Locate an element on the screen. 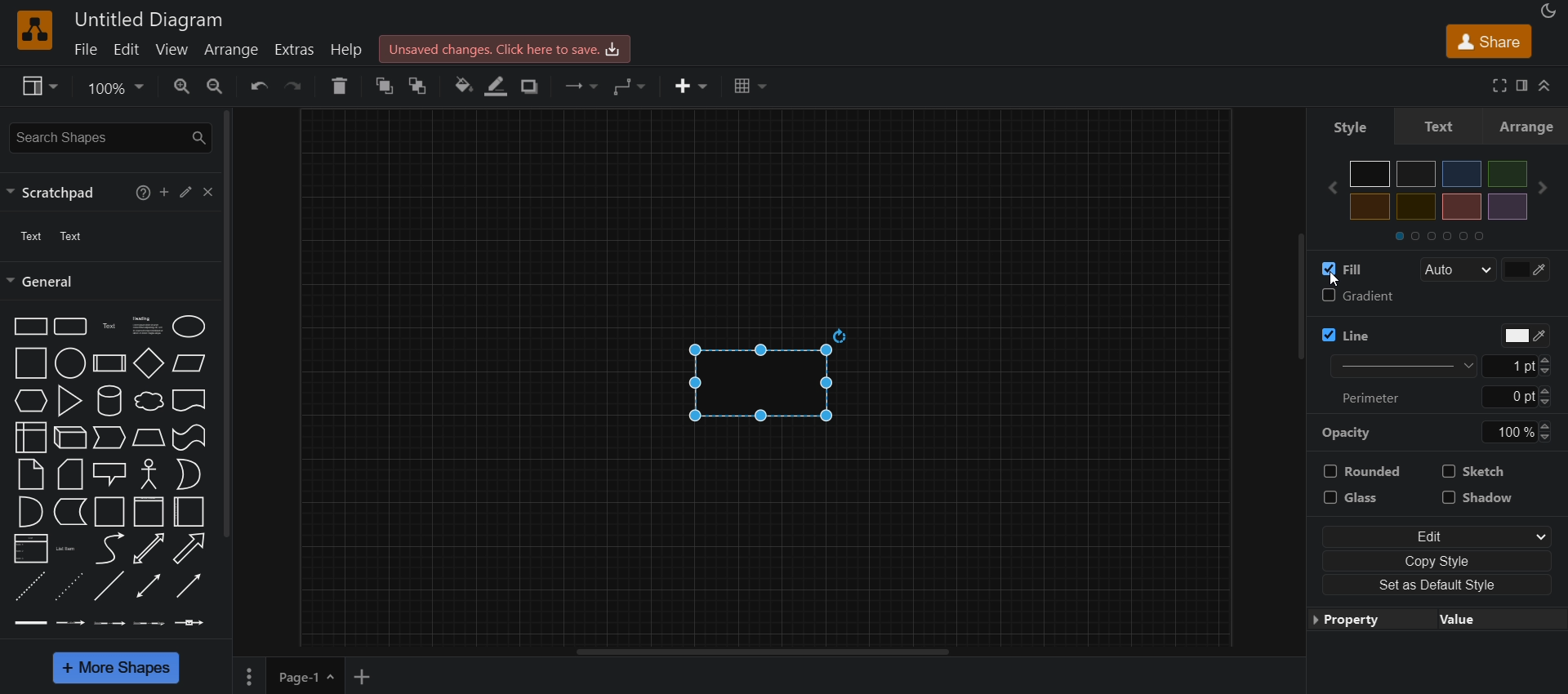  bidirectional arrow is located at coordinates (150, 549).